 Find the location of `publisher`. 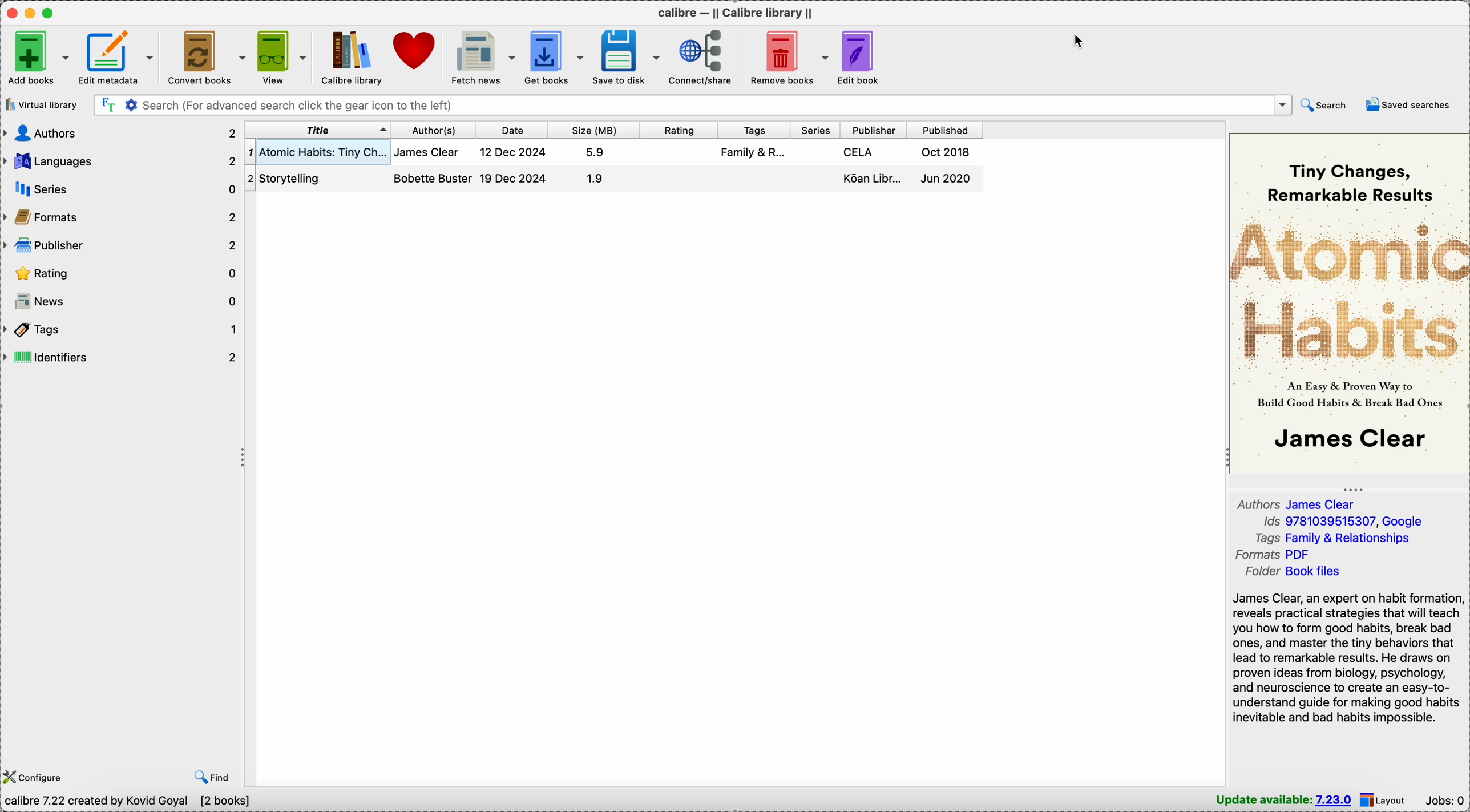

publisher is located at coordinates (870, 131).